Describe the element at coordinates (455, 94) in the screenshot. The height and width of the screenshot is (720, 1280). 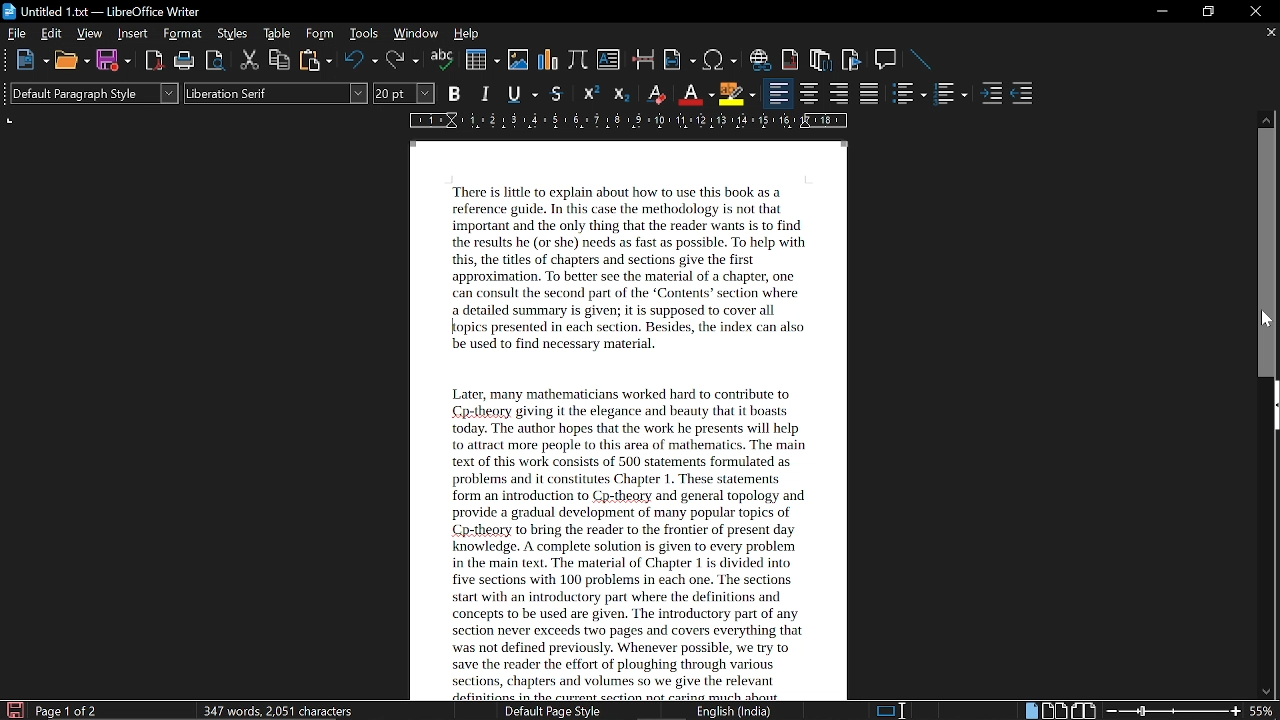
I see `bold` at that location.